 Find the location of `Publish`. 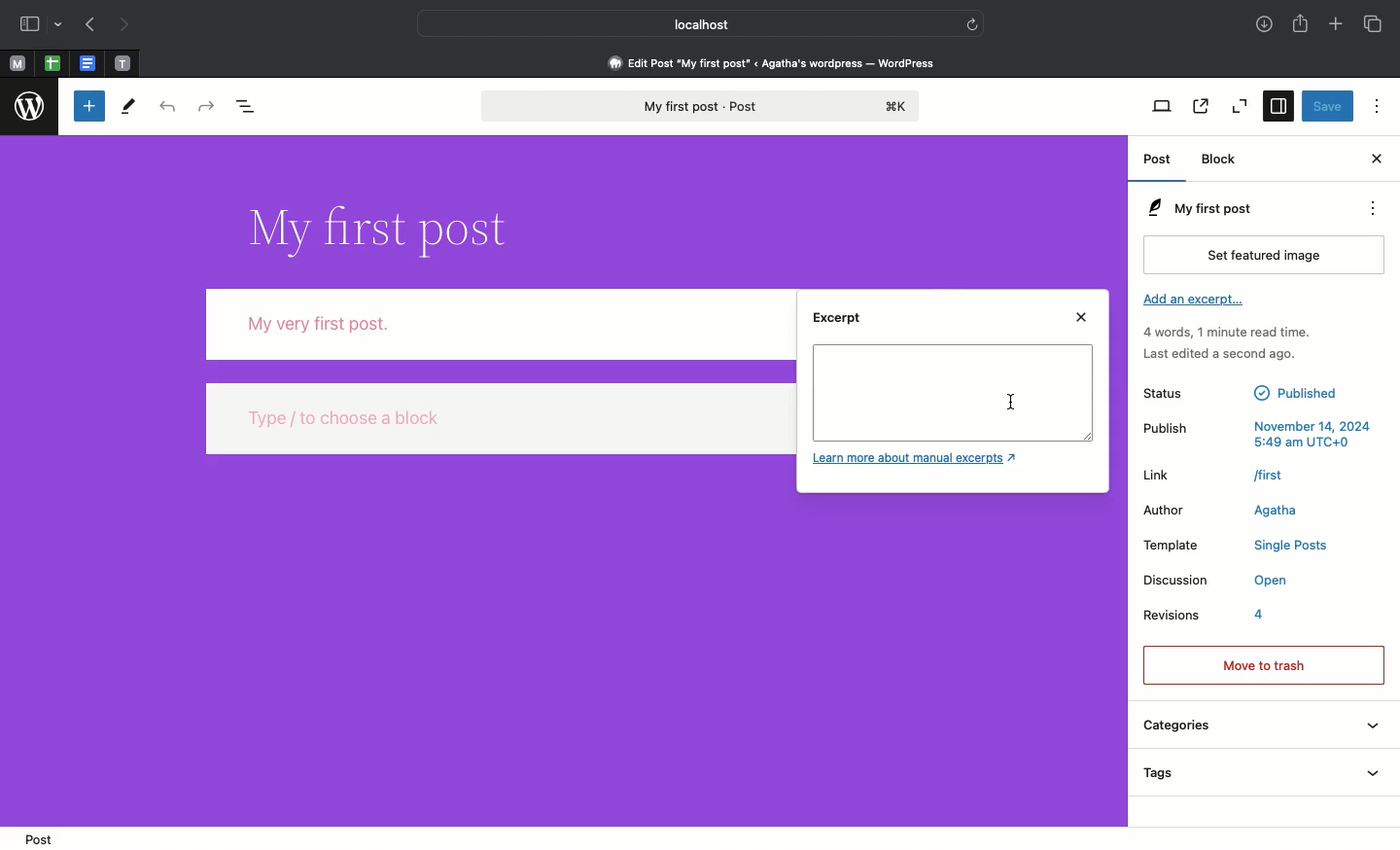

Publish is located at coordinates (1257, 432).